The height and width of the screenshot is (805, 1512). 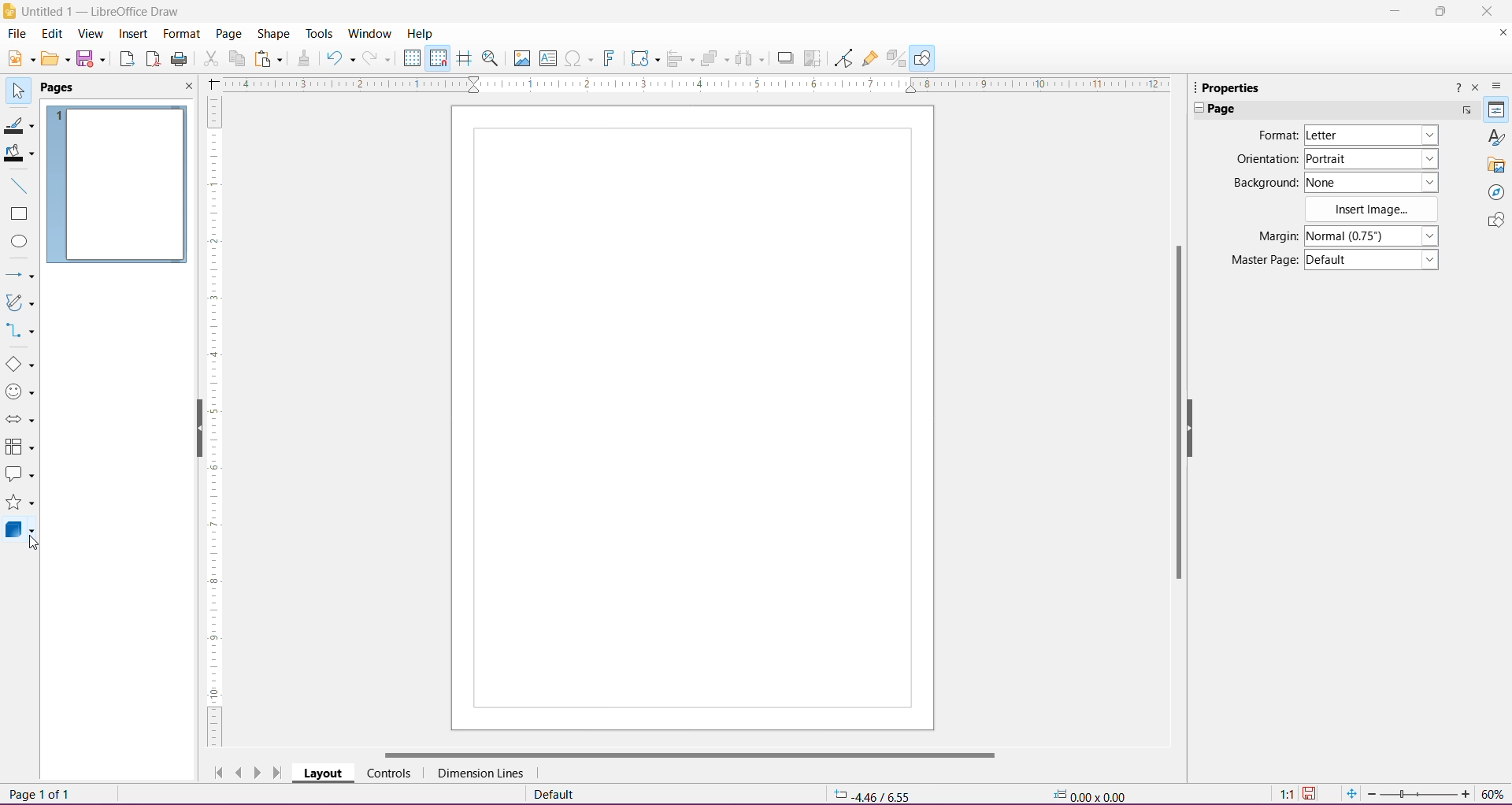 What do you see at coordinates (210, 61) in the screenshot?
I see `Cut` at bounding box center [210, 61].